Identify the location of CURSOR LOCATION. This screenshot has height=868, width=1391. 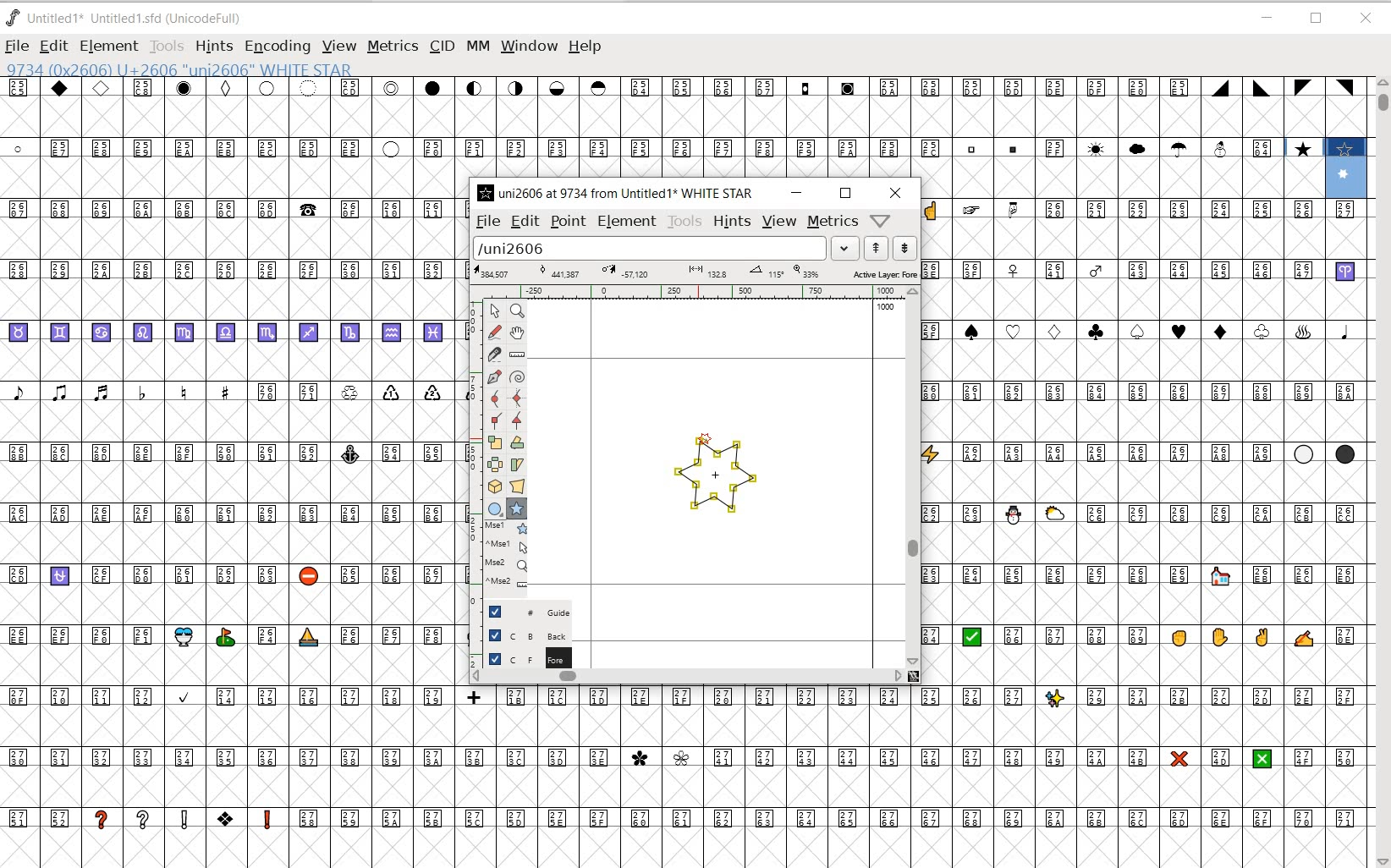
(702, 437).